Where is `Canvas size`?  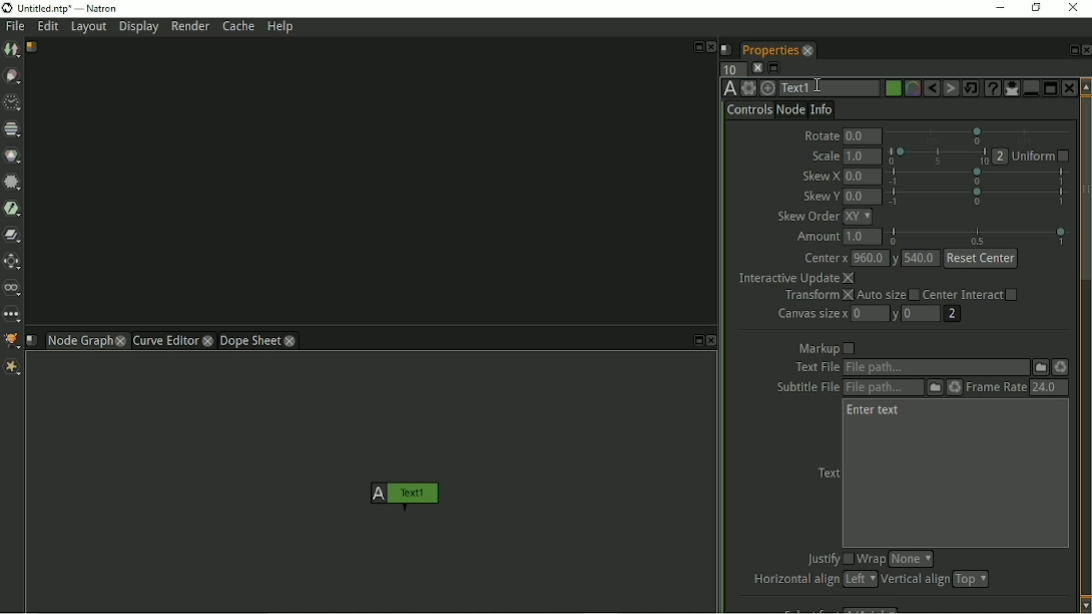
Canvas size is located at coordinates (1510, 586).